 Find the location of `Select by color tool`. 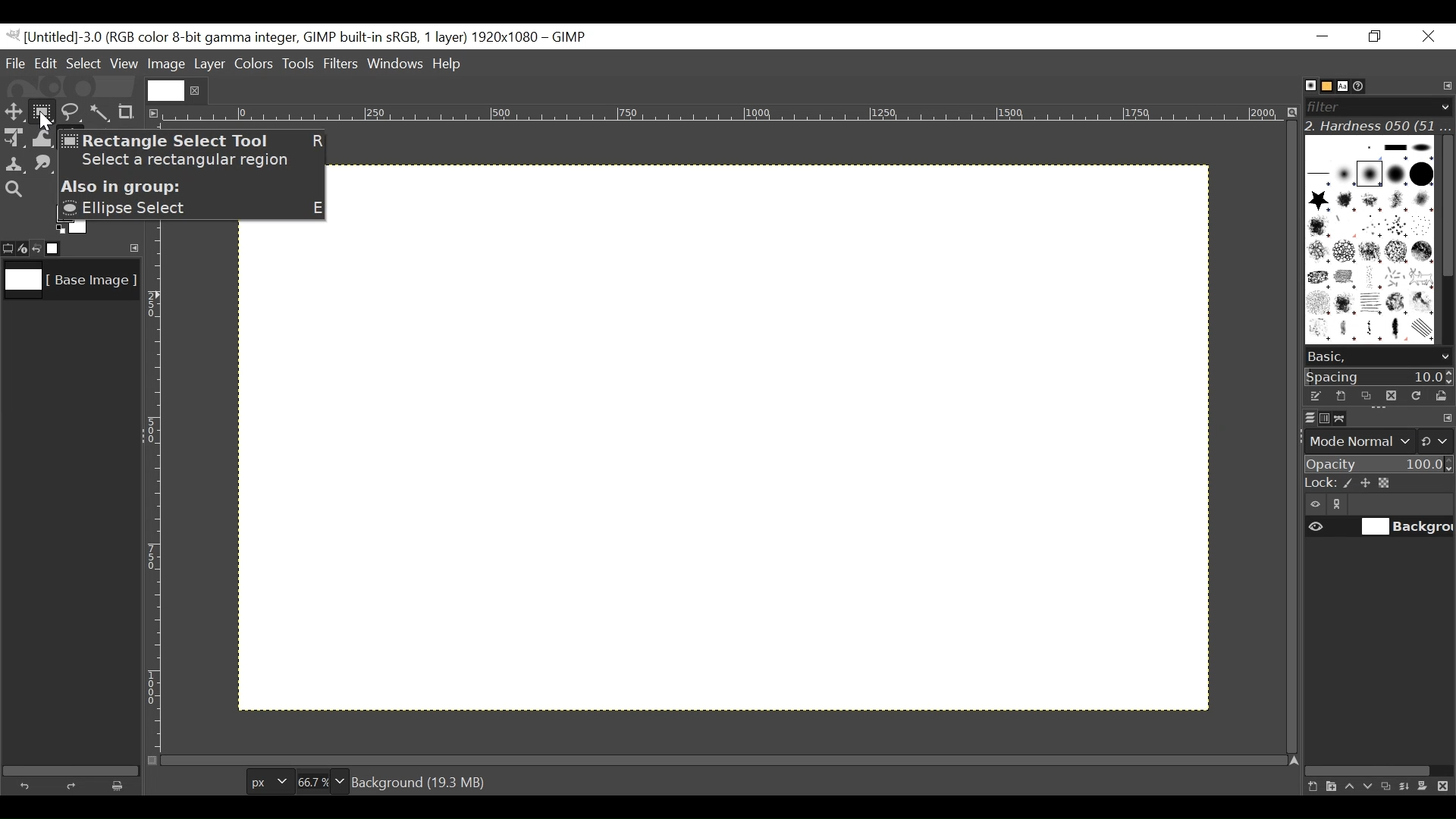

Select by color tool is located at coordinates (102, 111).